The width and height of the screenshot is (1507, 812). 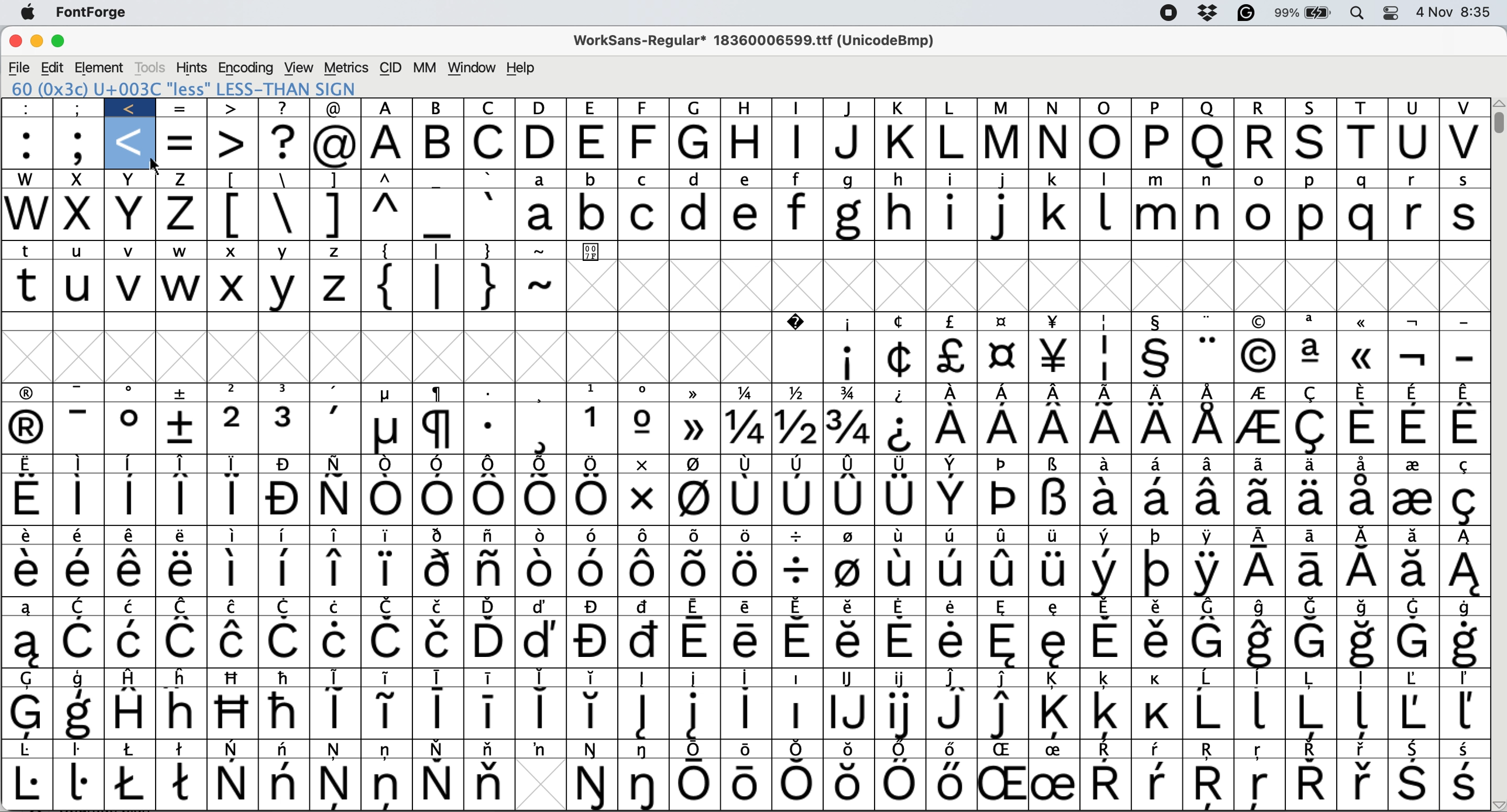 I want to click on p, so click(x=1310, y=181).